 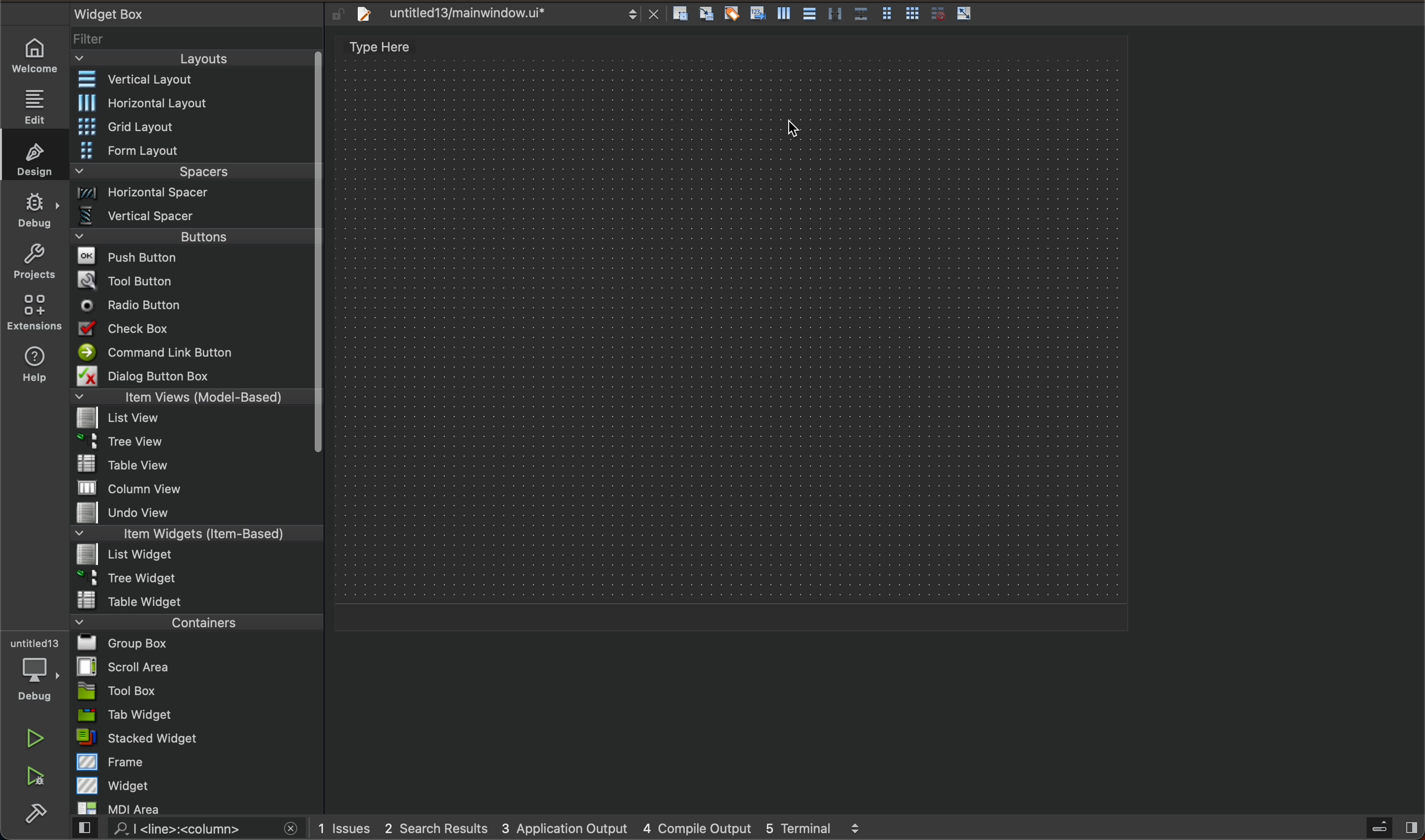 I want to click on table widget, so click(x=195, y=599).